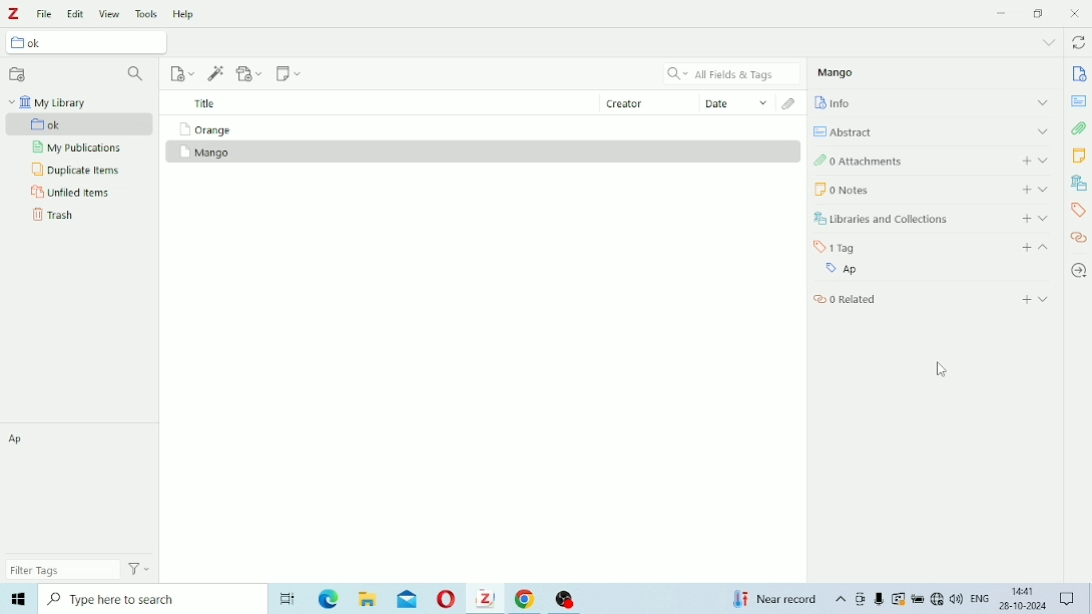  What do you see at coordinates (14, 15) in the screenshot?
I see `Logo` at bounding box center [14, 15].